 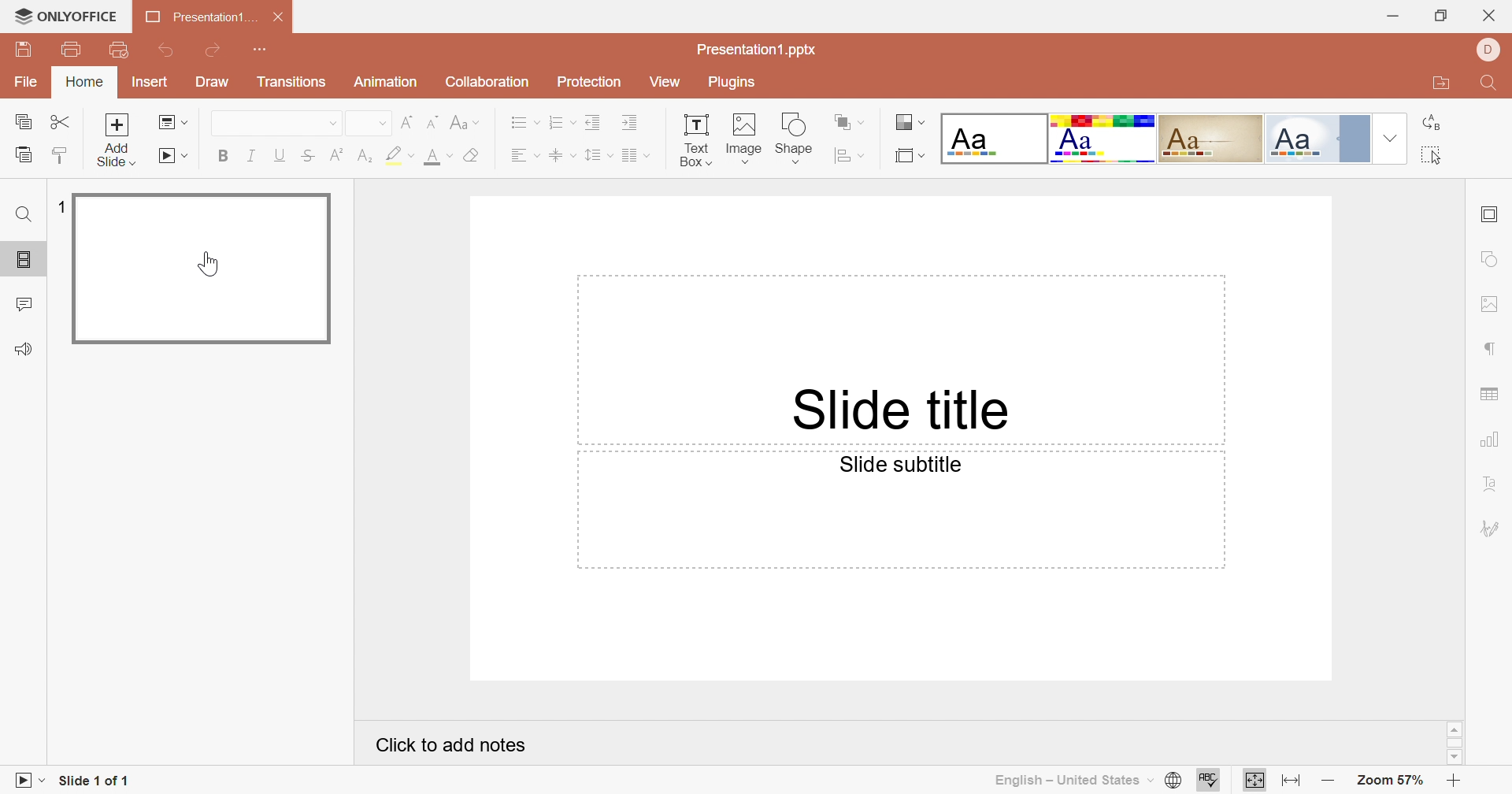 I want to click on Cursor, so click(x=215, y=265).